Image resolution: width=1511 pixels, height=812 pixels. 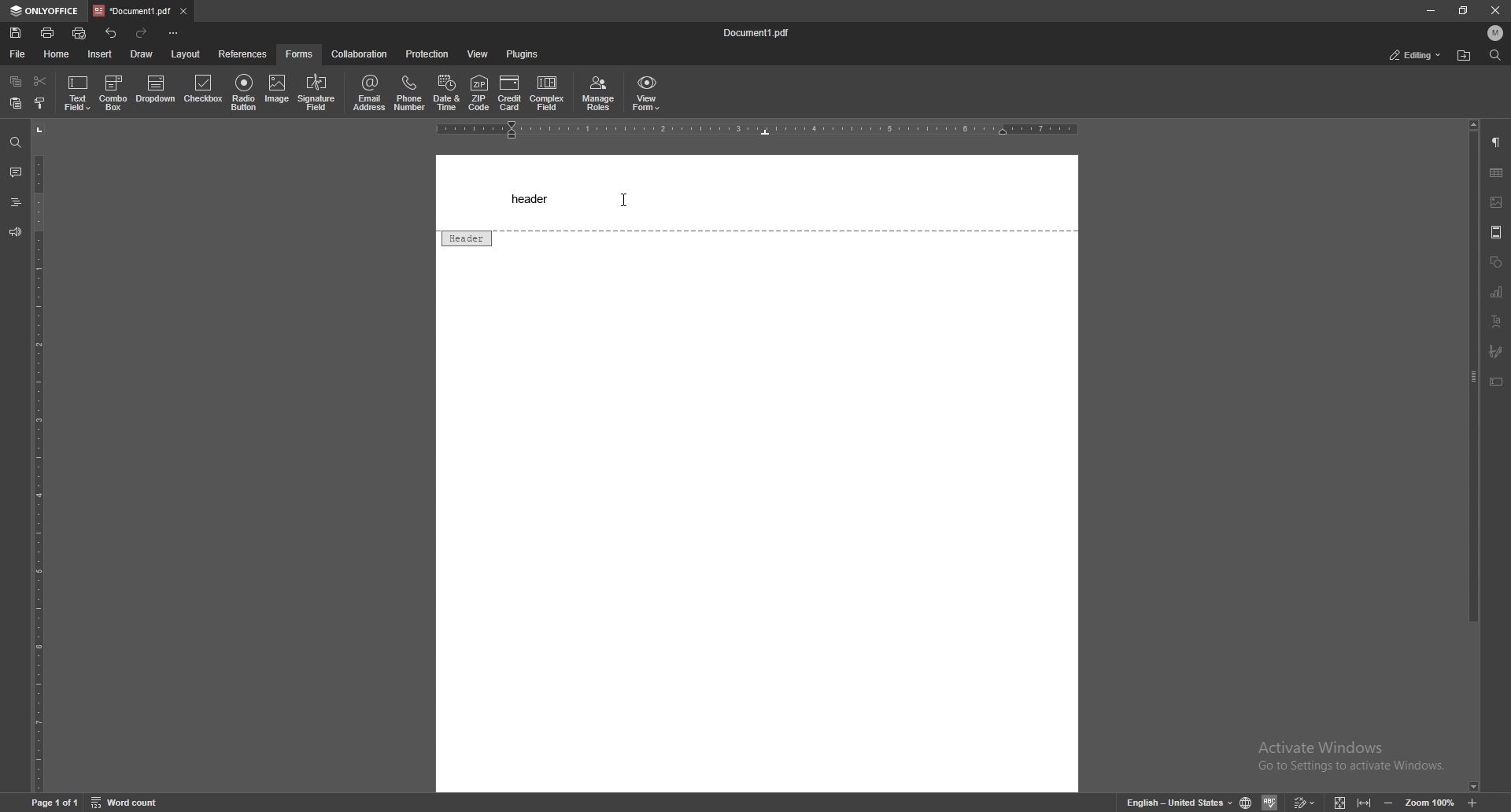 What do you see at coordinates (1475, 456) in the screenshot?
I see `scroll bar` at bounding box center [1475, 456].